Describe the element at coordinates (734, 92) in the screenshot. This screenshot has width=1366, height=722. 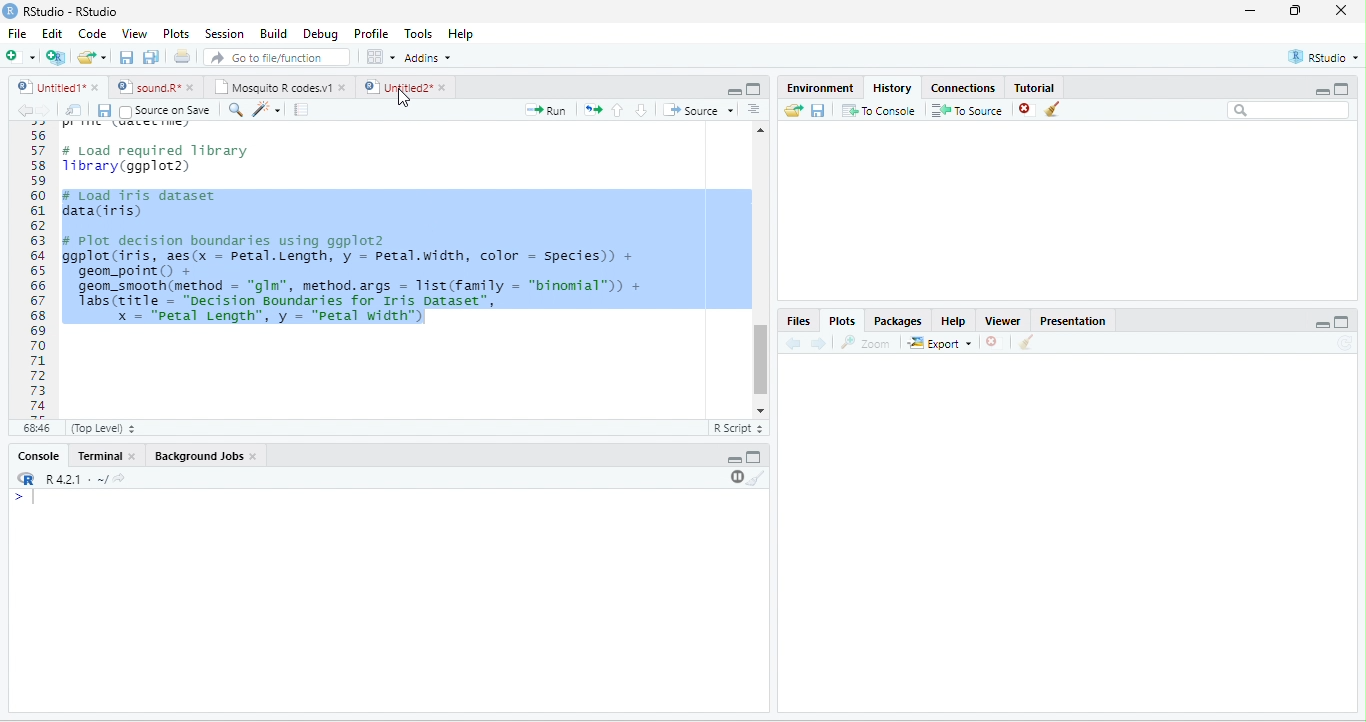
I see `minimize` at that location.